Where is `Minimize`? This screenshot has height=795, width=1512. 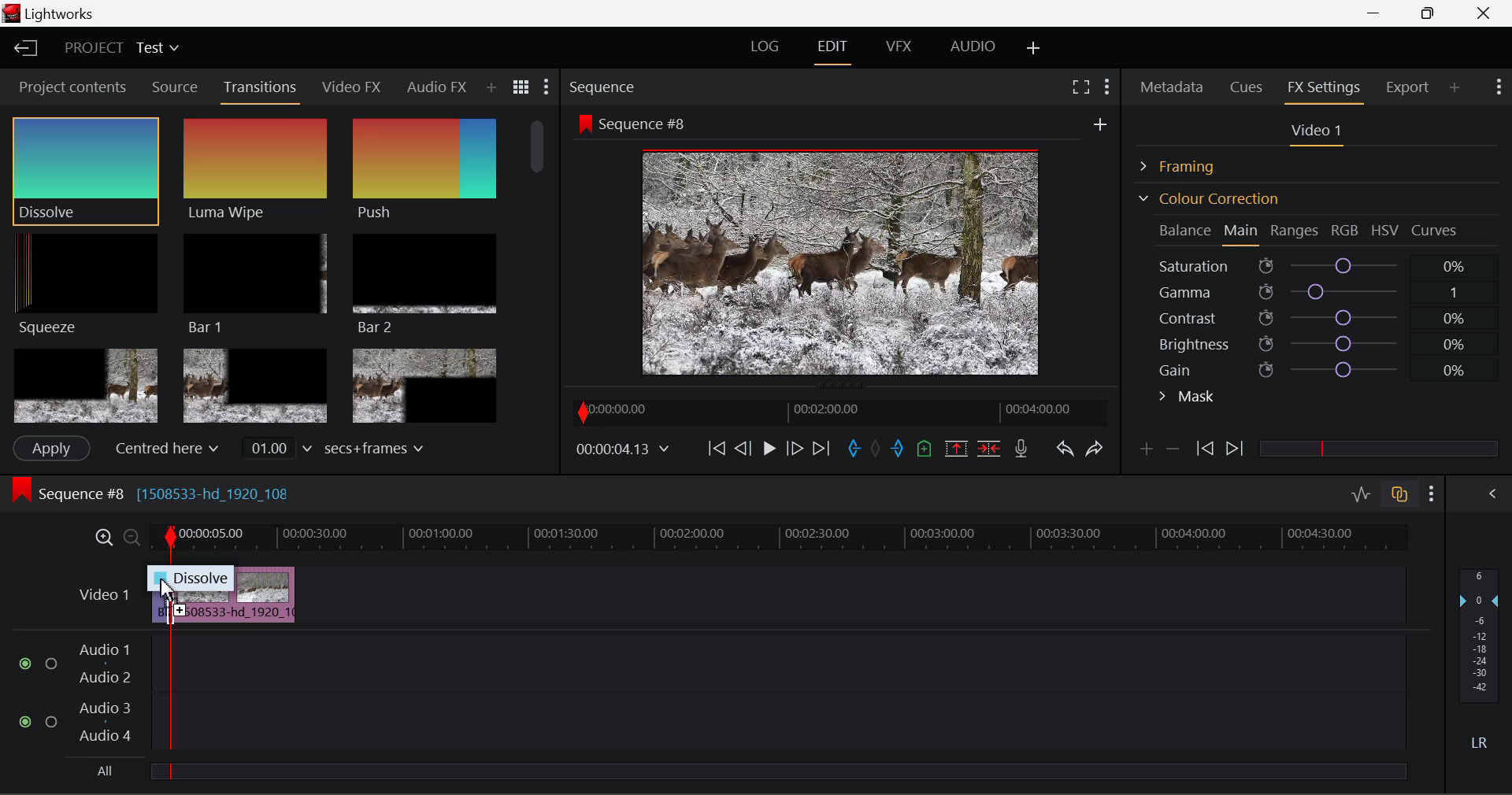
Minimize is located at coordinates (1432, 13).